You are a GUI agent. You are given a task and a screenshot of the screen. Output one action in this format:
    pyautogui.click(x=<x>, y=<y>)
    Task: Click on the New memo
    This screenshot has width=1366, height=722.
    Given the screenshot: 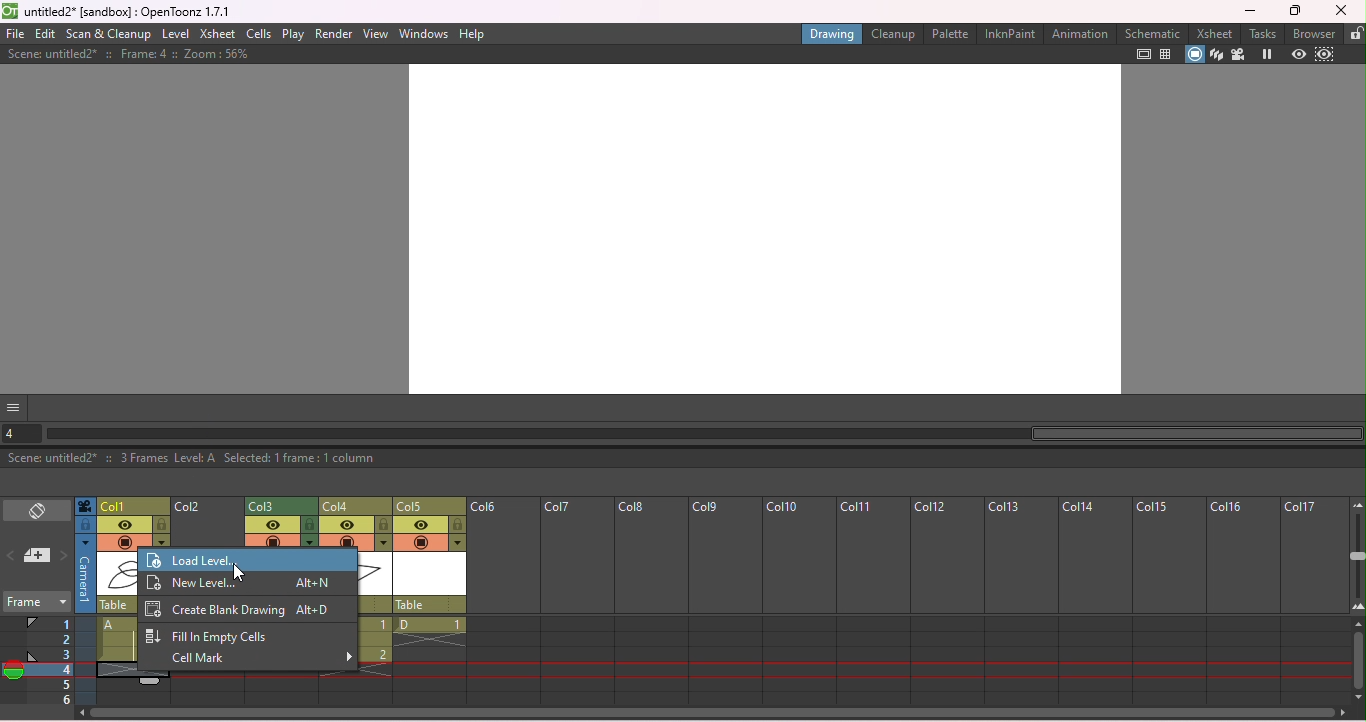 What is the action you would take?
    pyautogui.click(x=38, y=557)
    